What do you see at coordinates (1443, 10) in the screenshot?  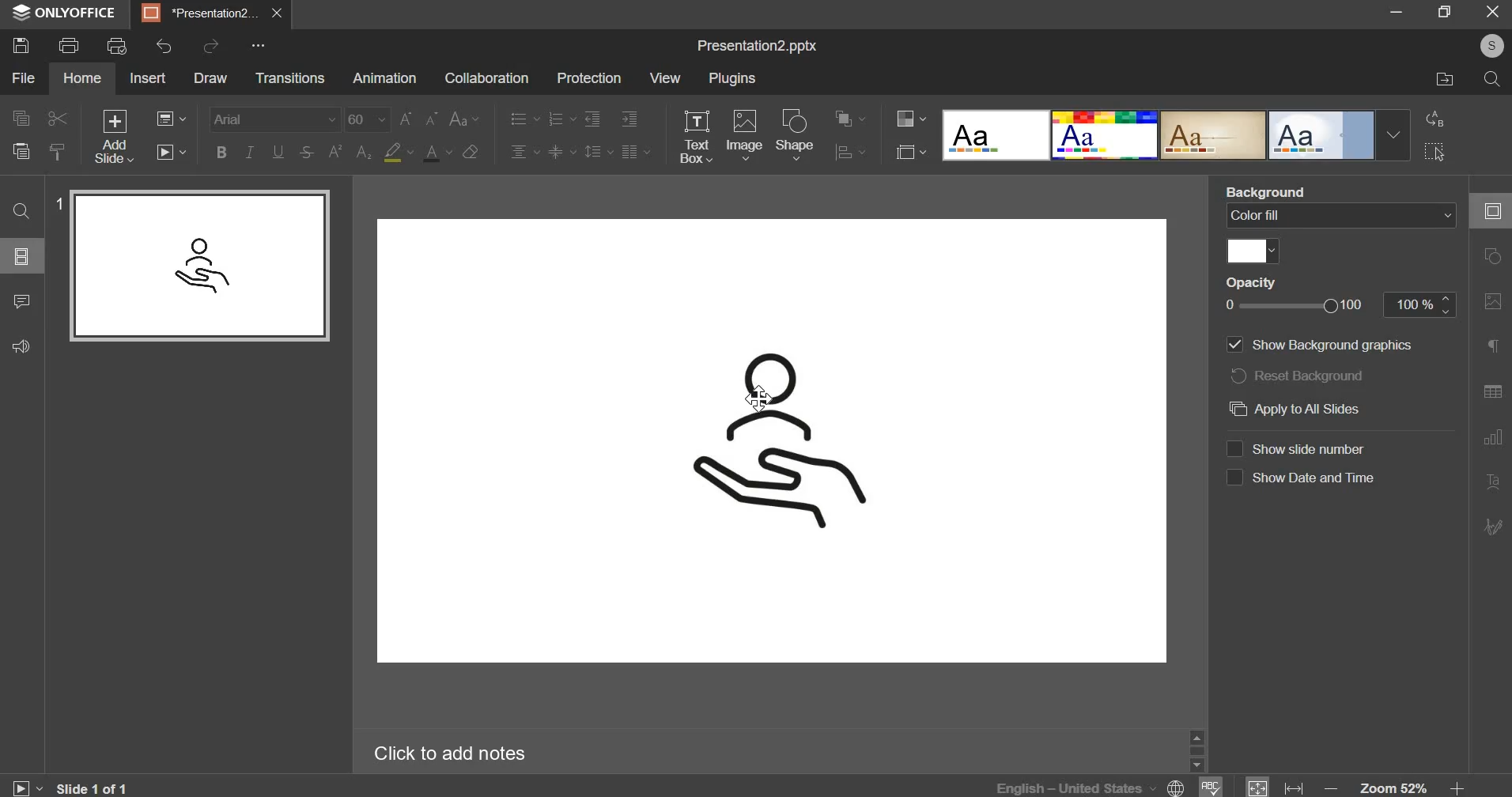 I see `maximize` at bounding box center [1443, 10].